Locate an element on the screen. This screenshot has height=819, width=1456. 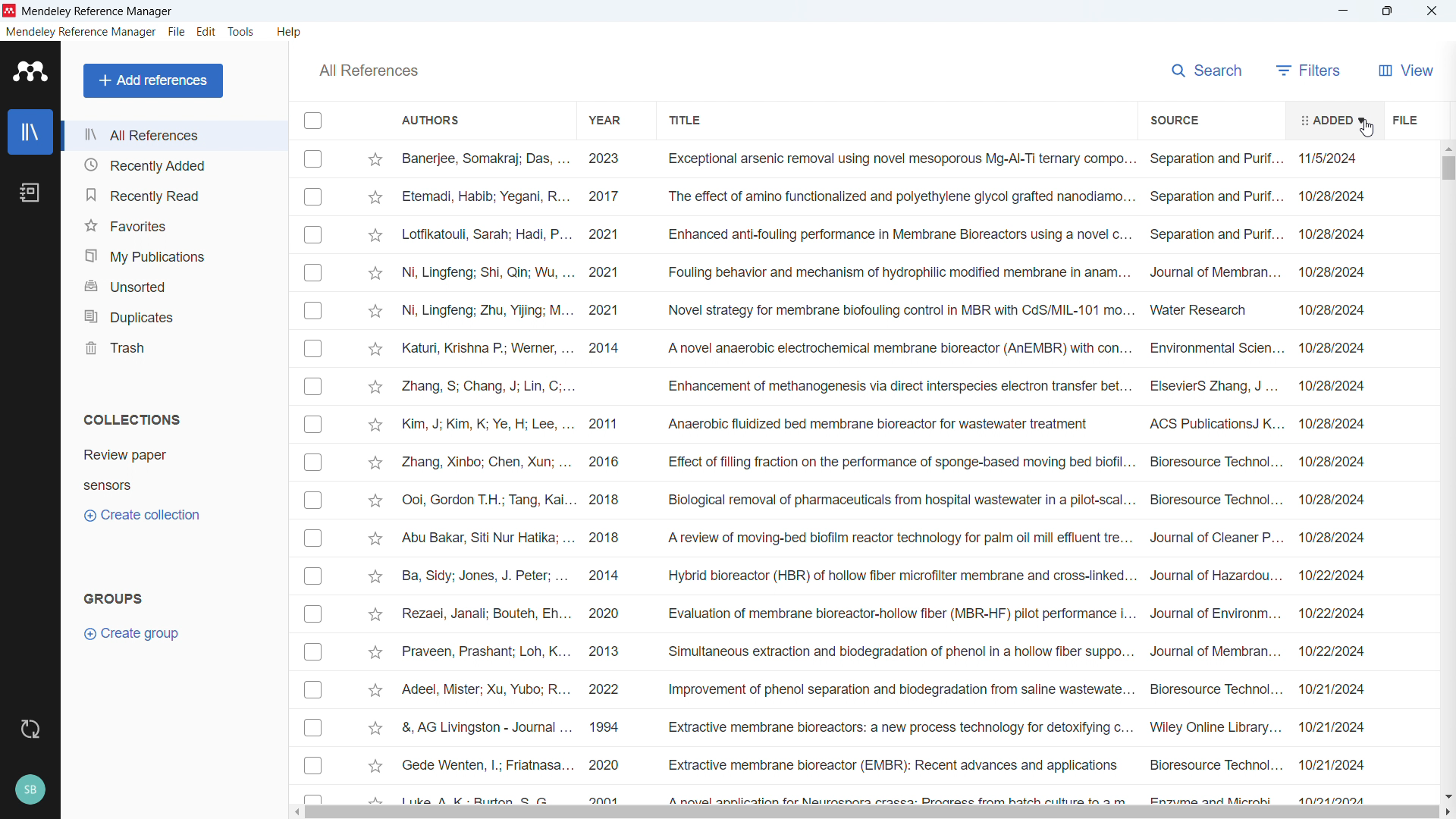
Close  is located at coordinates (1431, 11).